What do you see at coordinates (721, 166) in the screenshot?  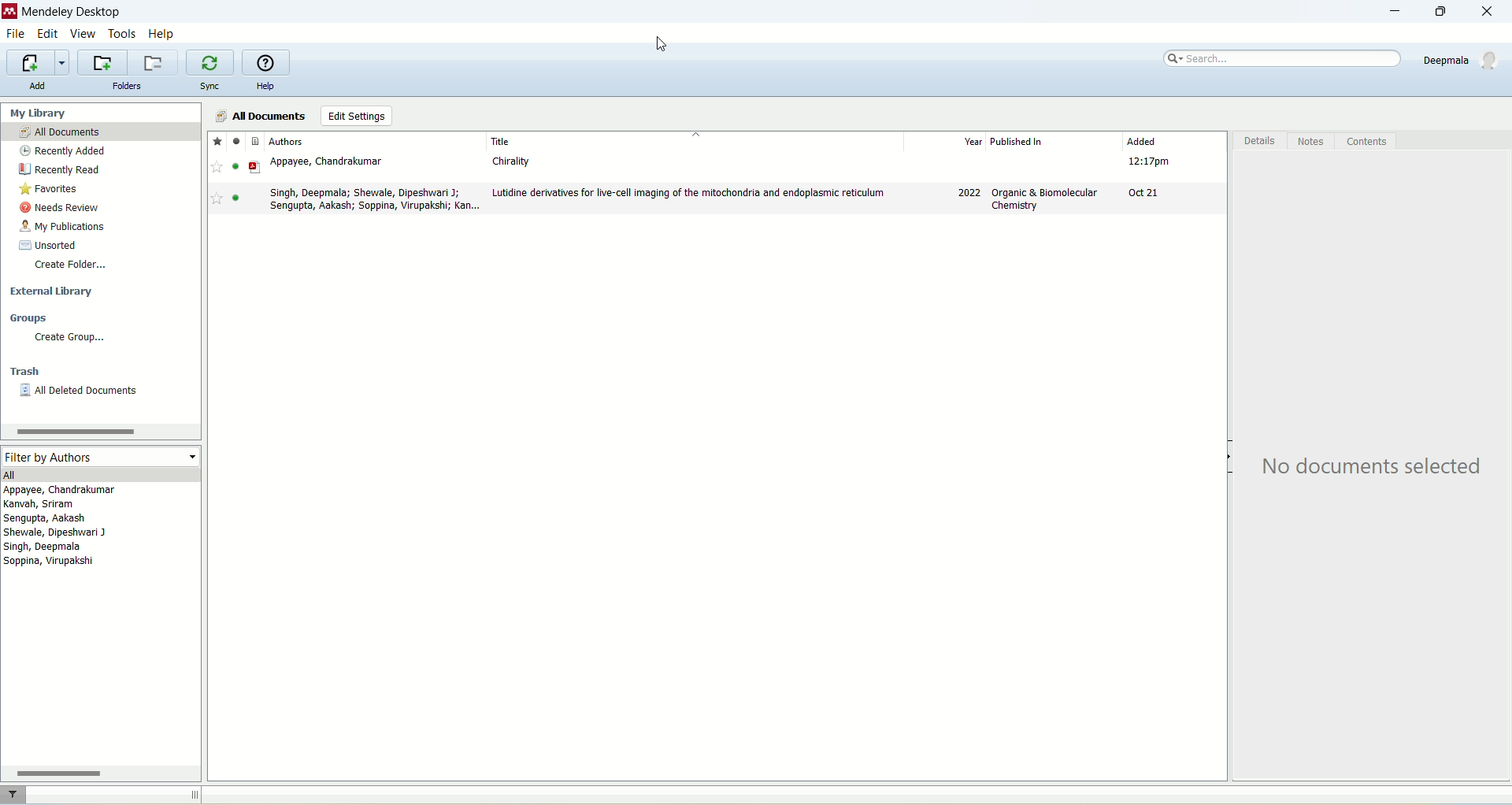 I see `document2` at bounding box center [721, 166].